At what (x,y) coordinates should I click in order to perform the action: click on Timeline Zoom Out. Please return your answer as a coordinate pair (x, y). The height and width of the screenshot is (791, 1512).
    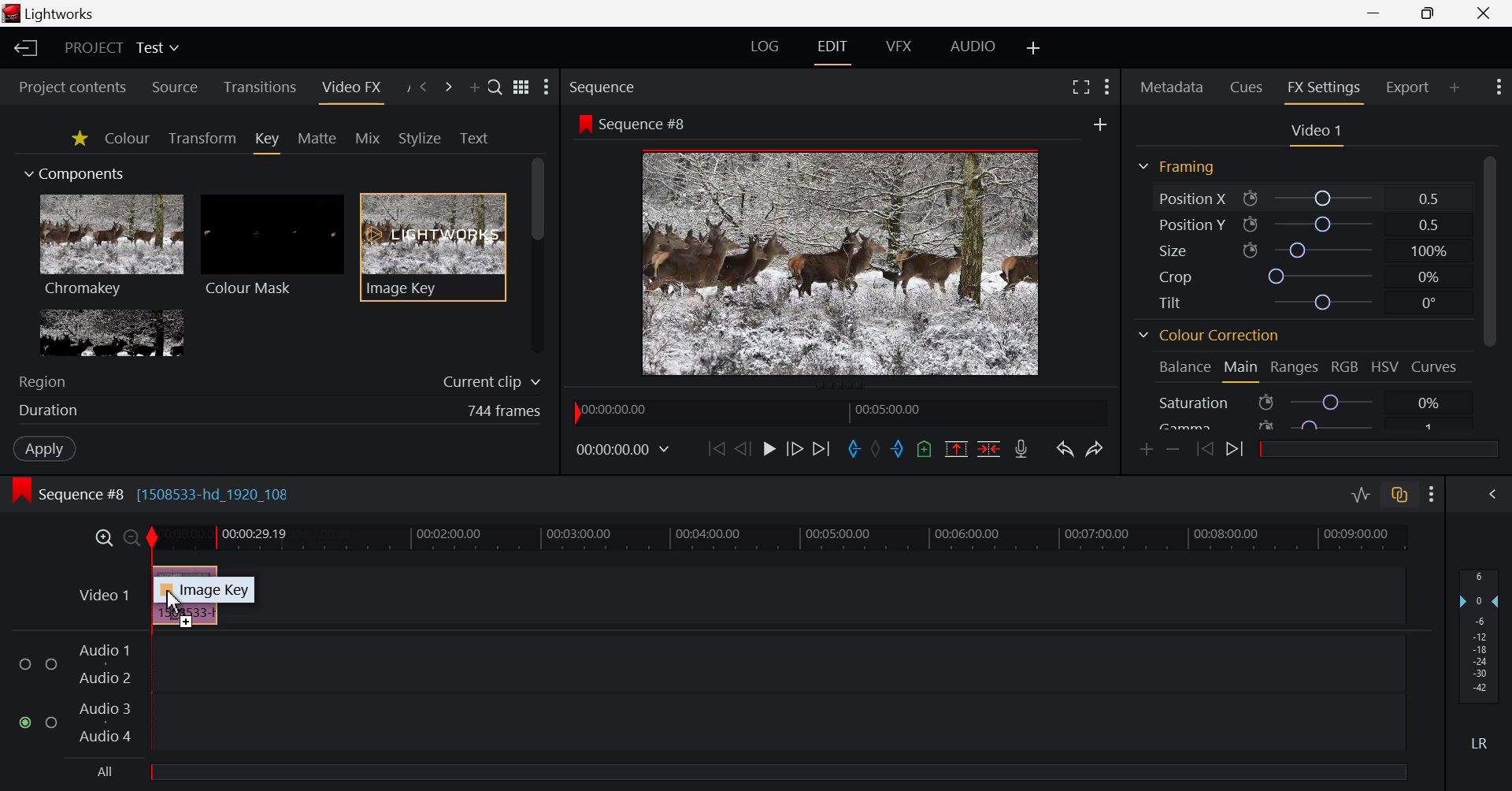
    Looking at the image, I should click on (128, 538).